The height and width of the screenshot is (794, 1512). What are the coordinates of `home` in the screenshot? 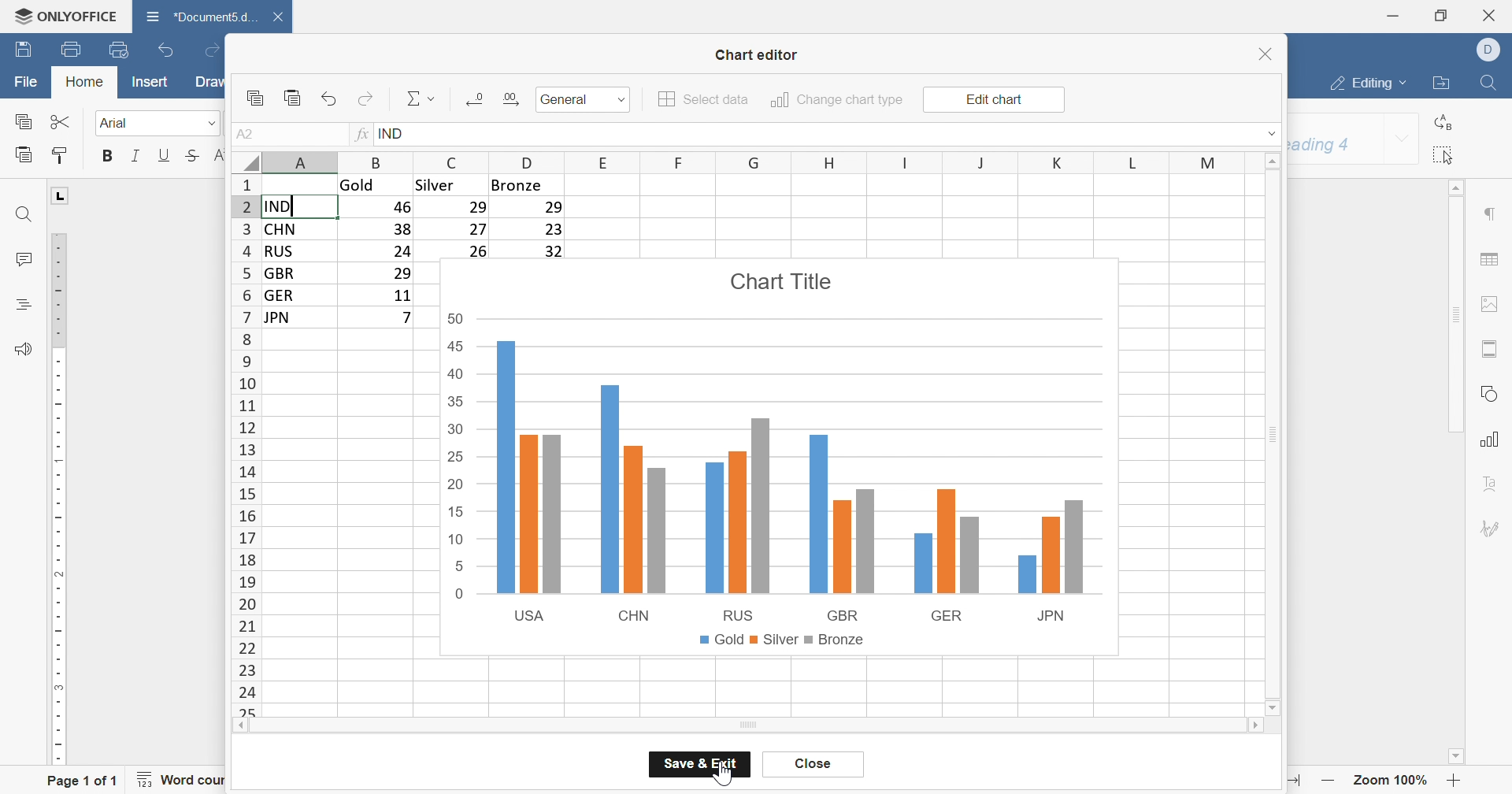 It's located at (85, 80).